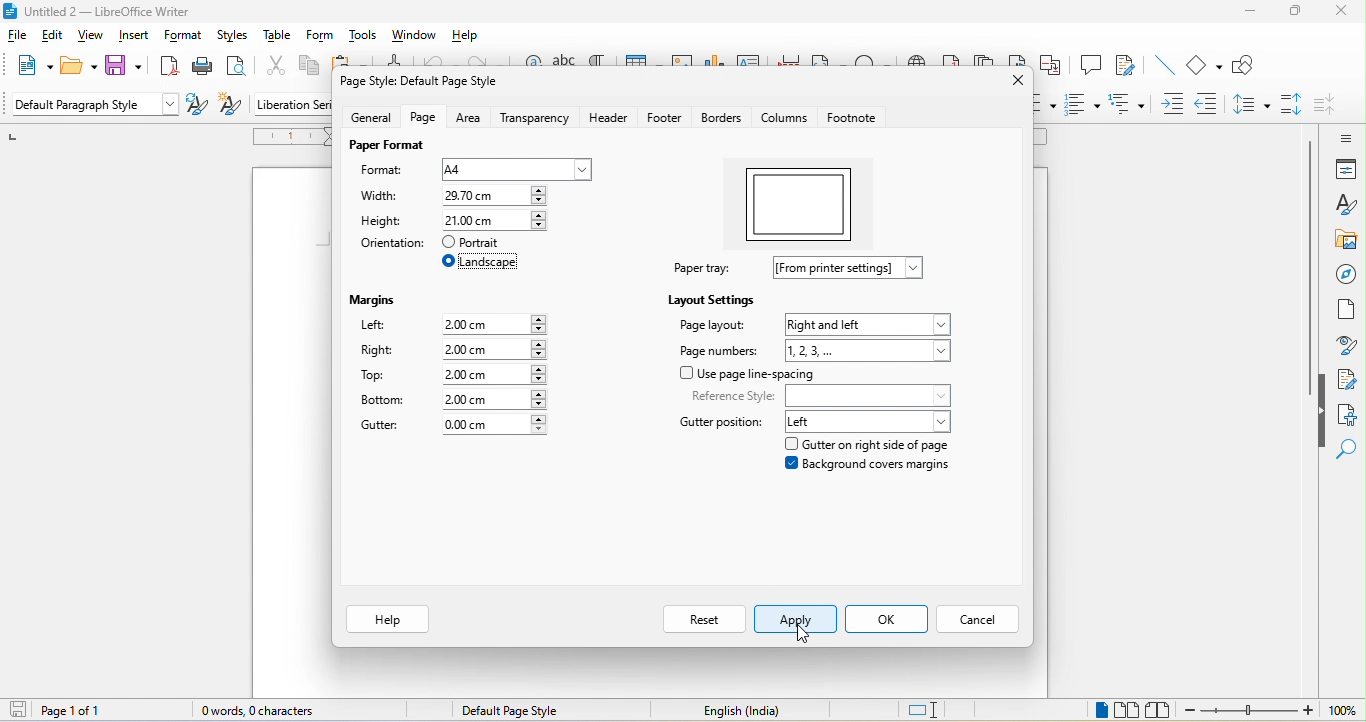  I want to click on height, so click(384, 221).